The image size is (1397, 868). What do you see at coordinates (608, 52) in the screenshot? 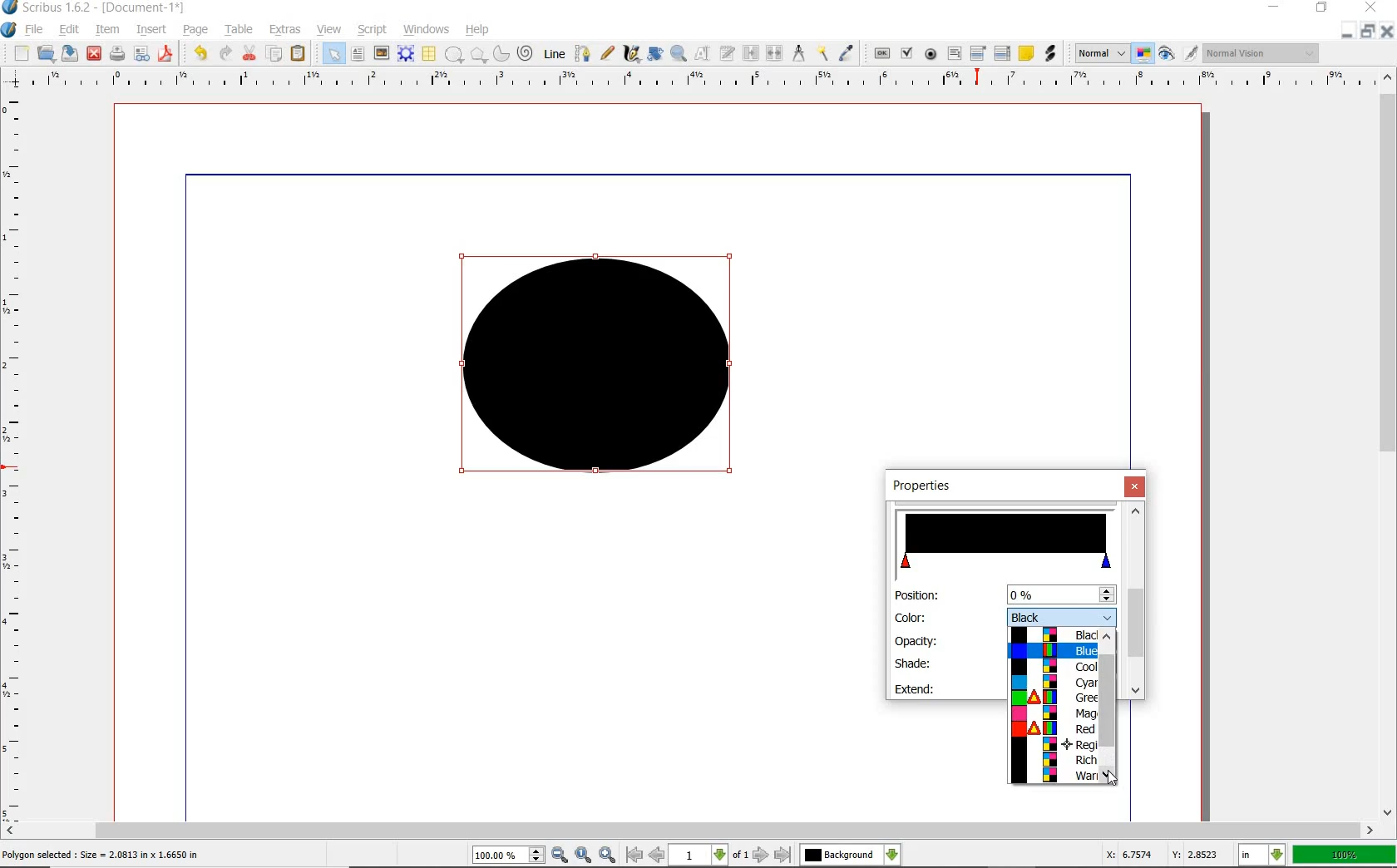
I see `FREEHAND LINE` at bounding box center [608, 52].